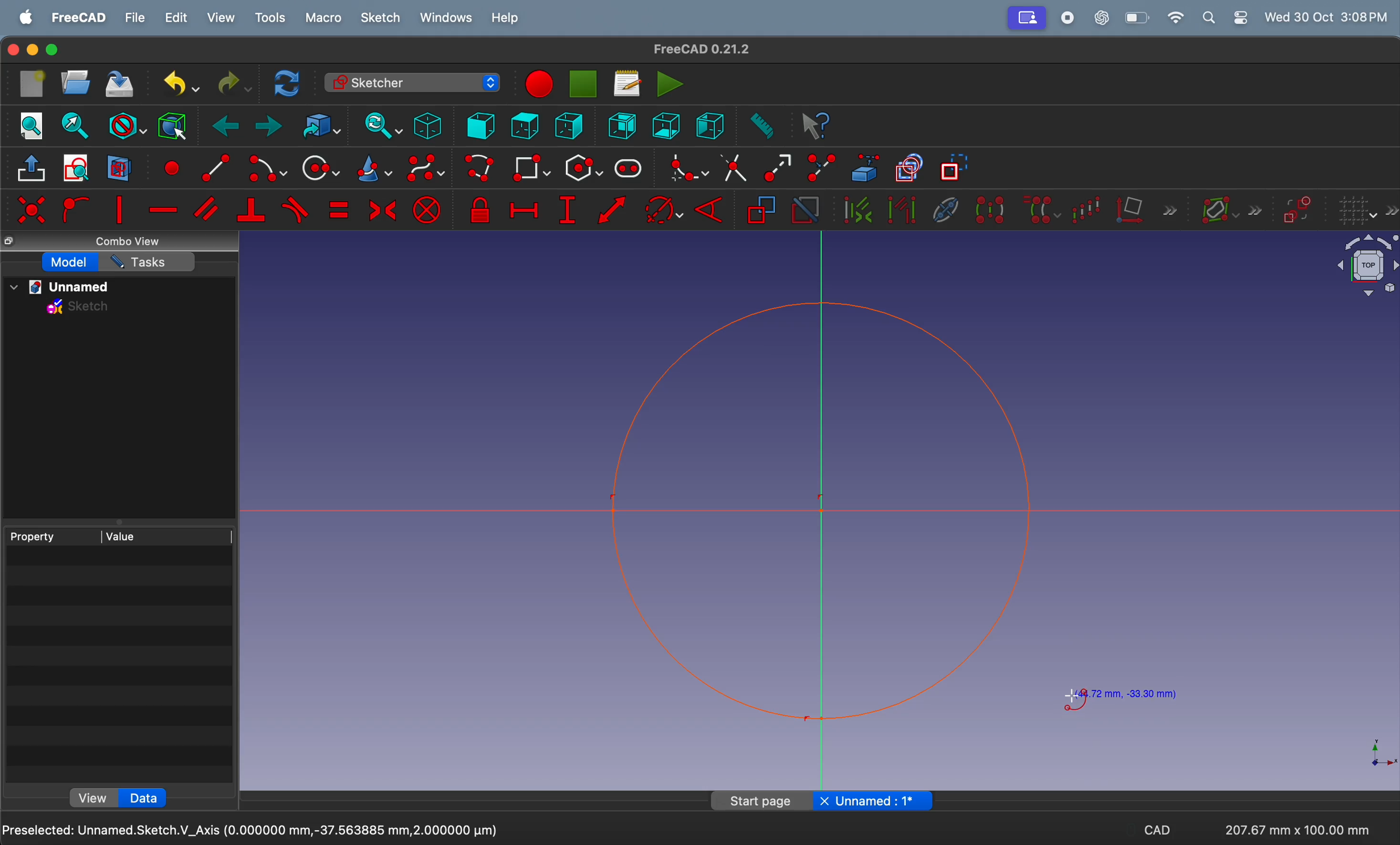  What do you see at coordinates (427, 126) in the screenshot?
I see `iso metric view` at bounding box center [427, 126].